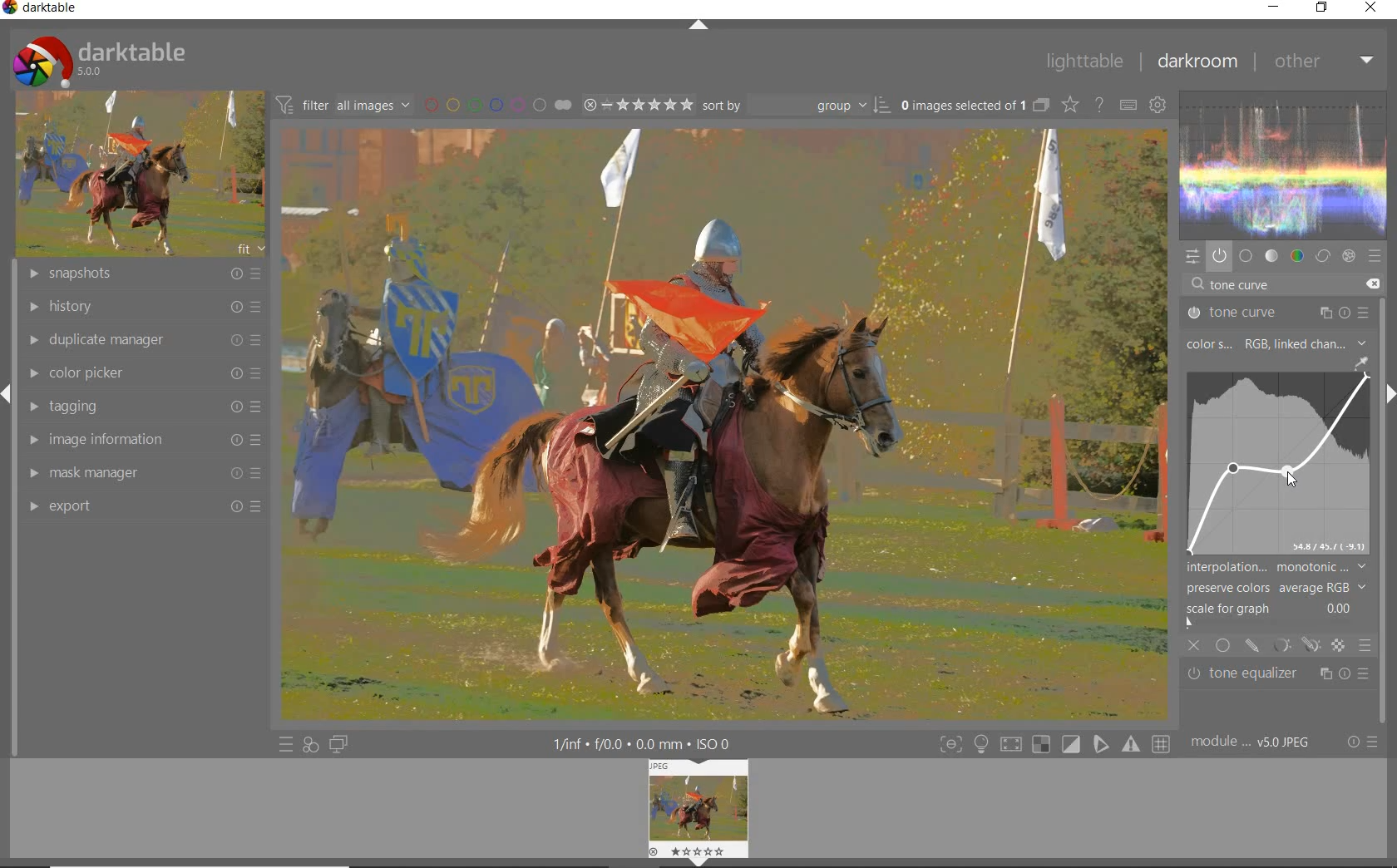 Image resolution: width=1397 pixels, height=868 pixels. What do you see at coordinates (1099, 107) in the screenshot?
I see `enable for online help` at bounding box center [1099, 107].